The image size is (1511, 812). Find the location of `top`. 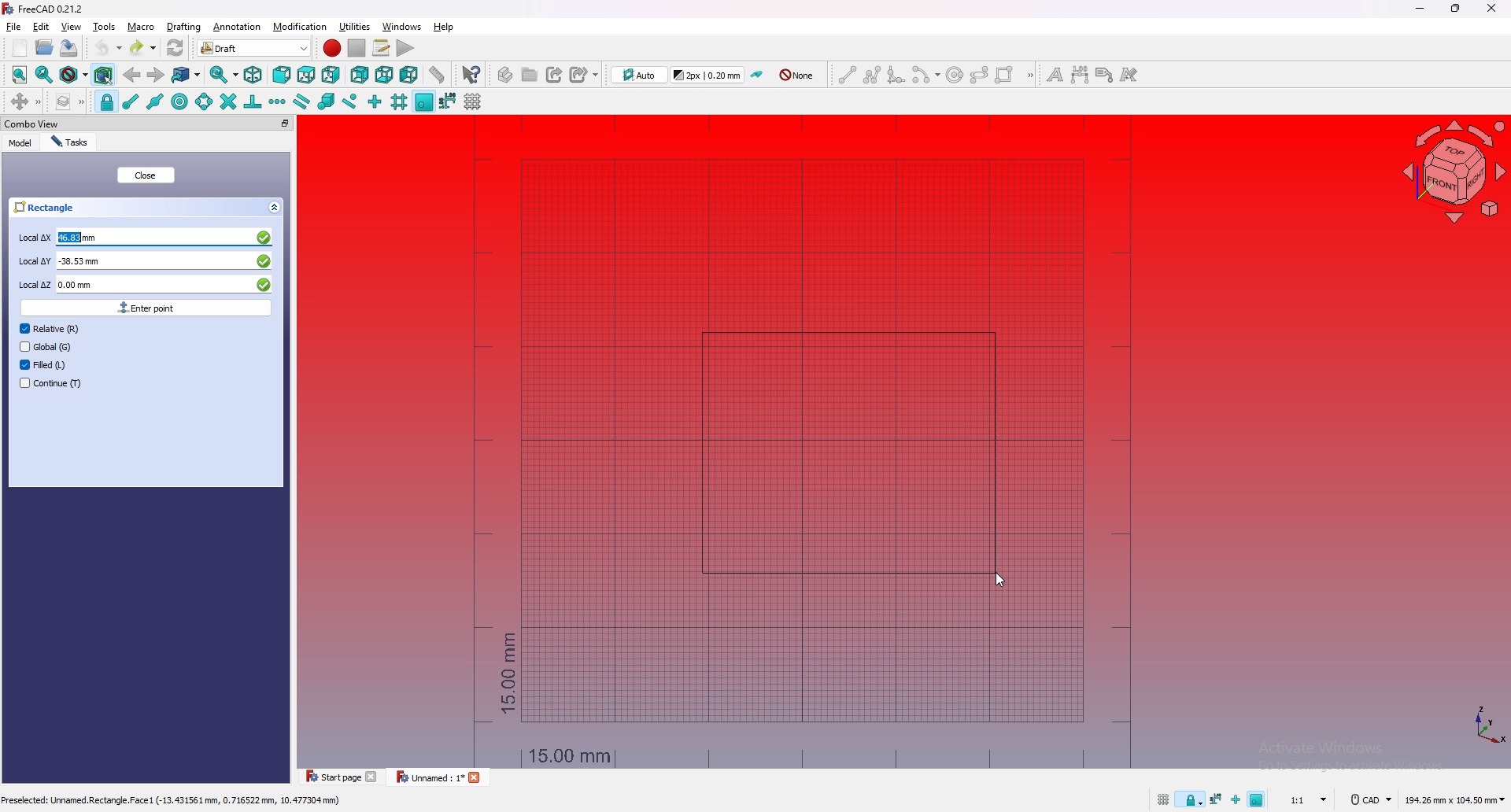

top is located at coordinates (306, 75).